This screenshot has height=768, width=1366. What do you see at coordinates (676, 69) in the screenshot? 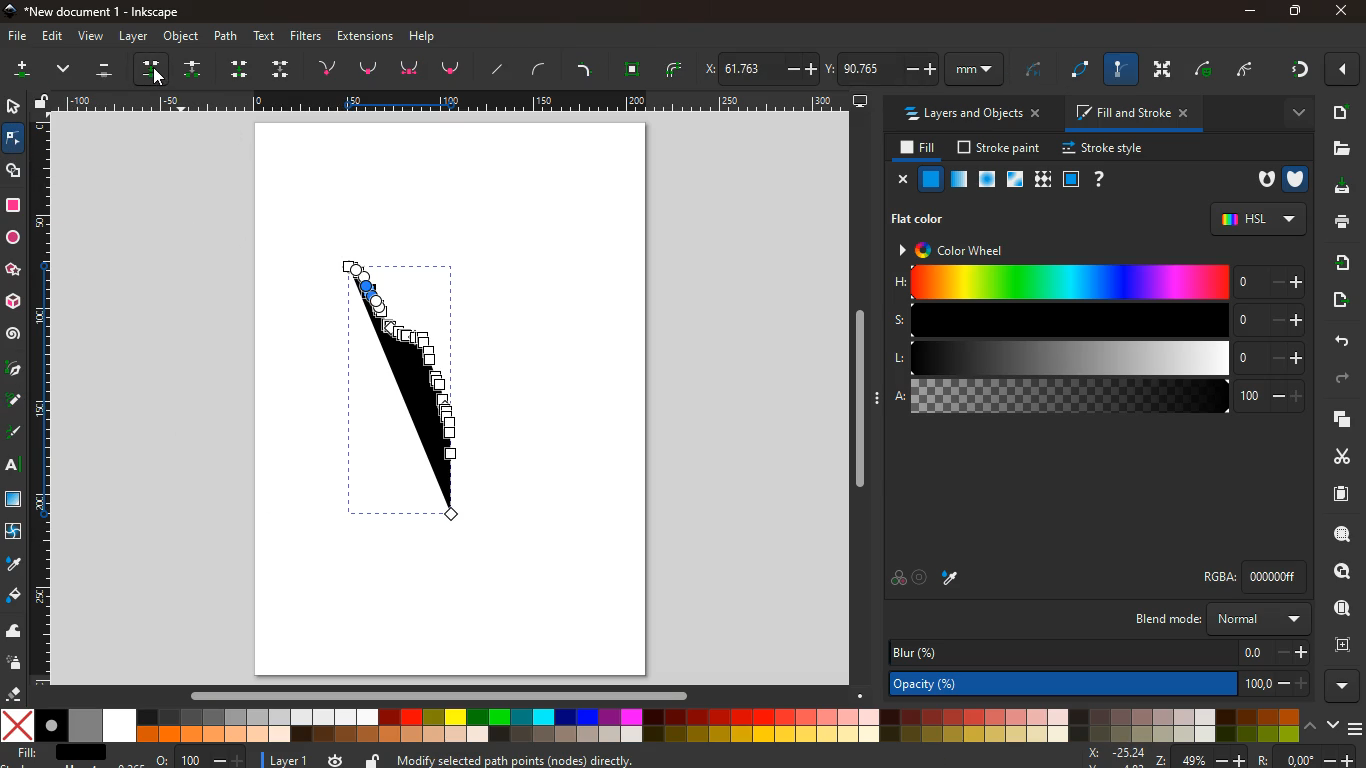
I see `ropes` at bounding box center [676, 69].